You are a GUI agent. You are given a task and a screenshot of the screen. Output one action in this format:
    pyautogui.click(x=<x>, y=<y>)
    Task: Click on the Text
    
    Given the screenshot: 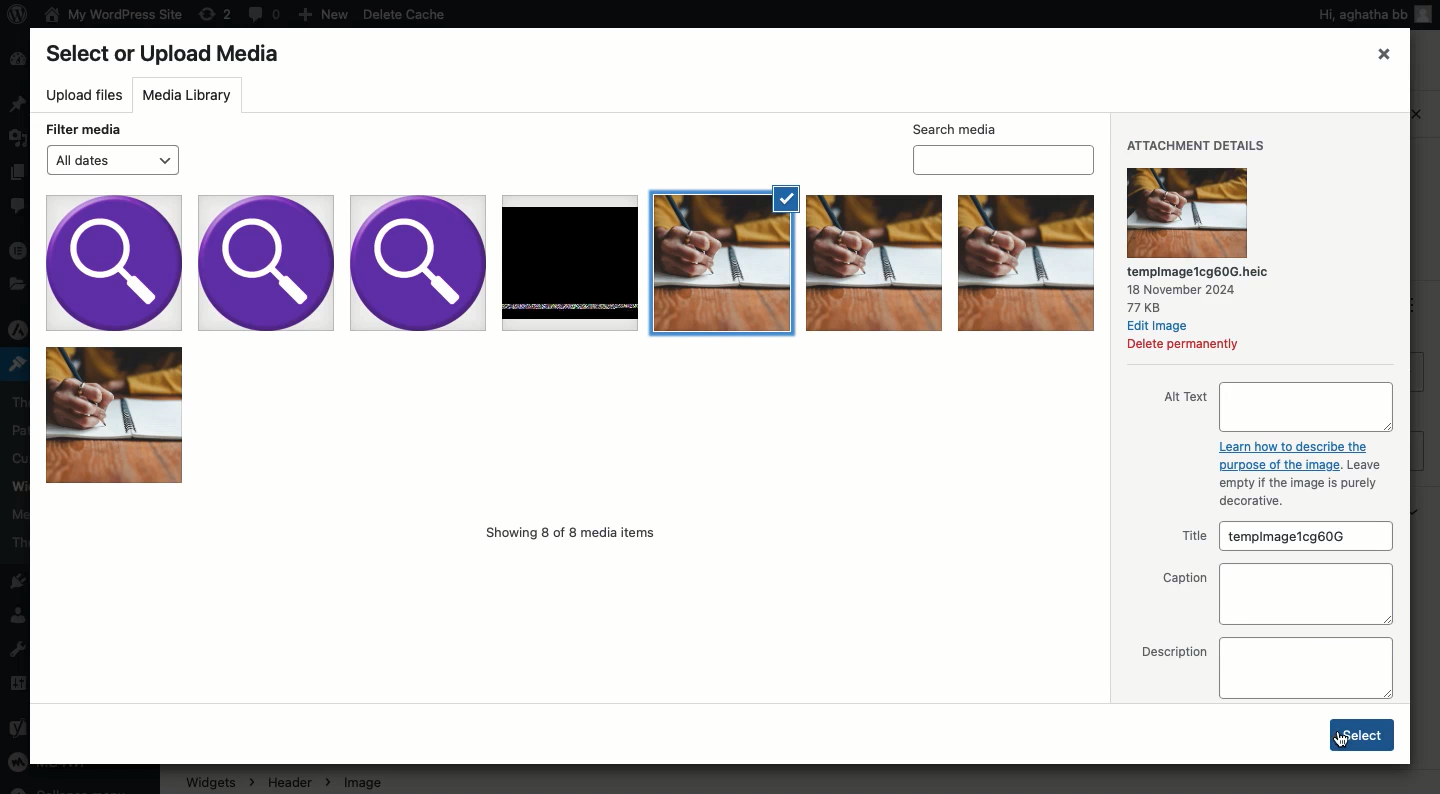 What is the action you would take?
    pyautogui.click(x=1300, y=474)
    